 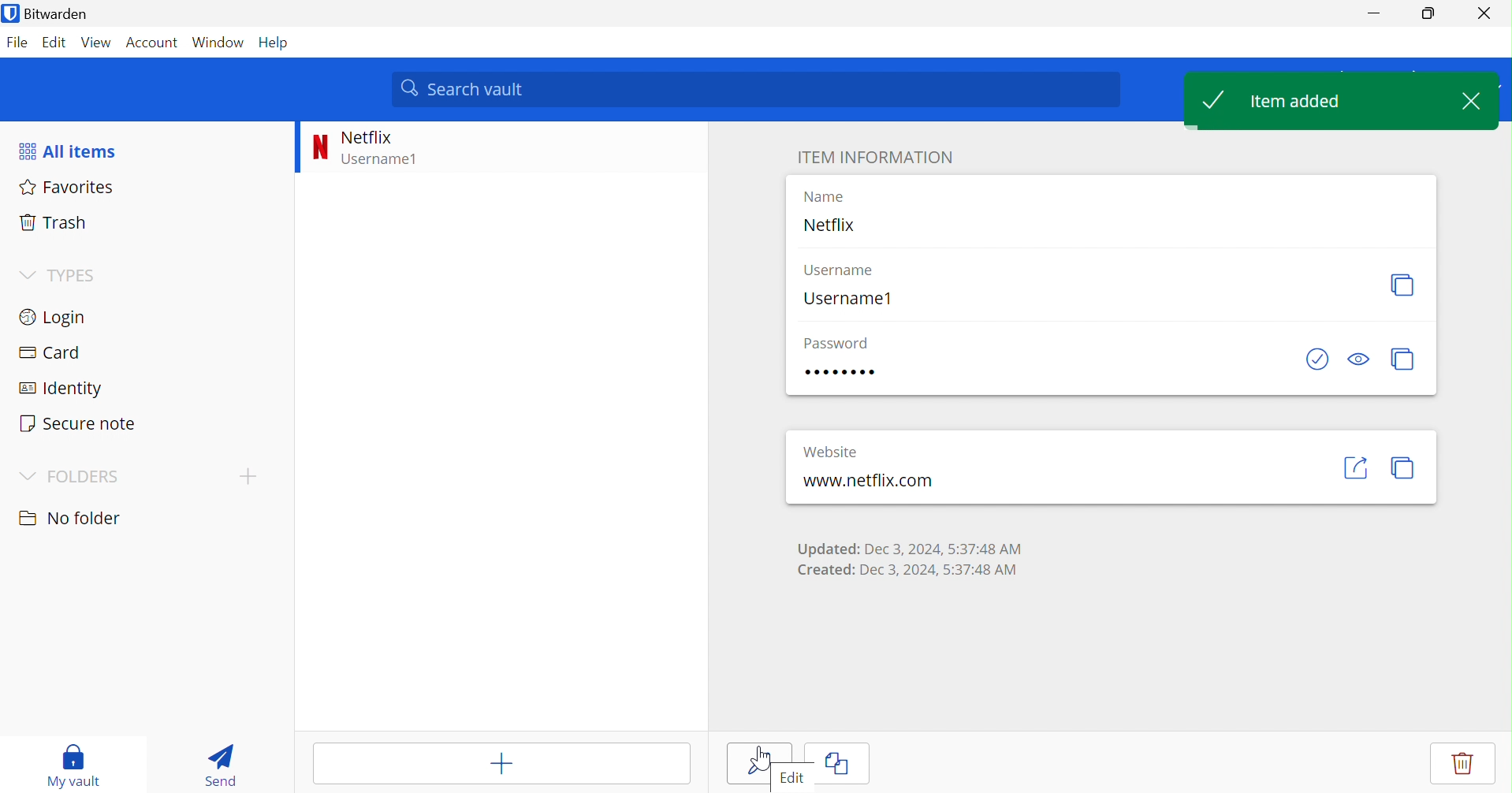 What do you see at coordinates (1431, 14) in the screenshot?
I see `Restore down` at bounding box center [1431, 14].